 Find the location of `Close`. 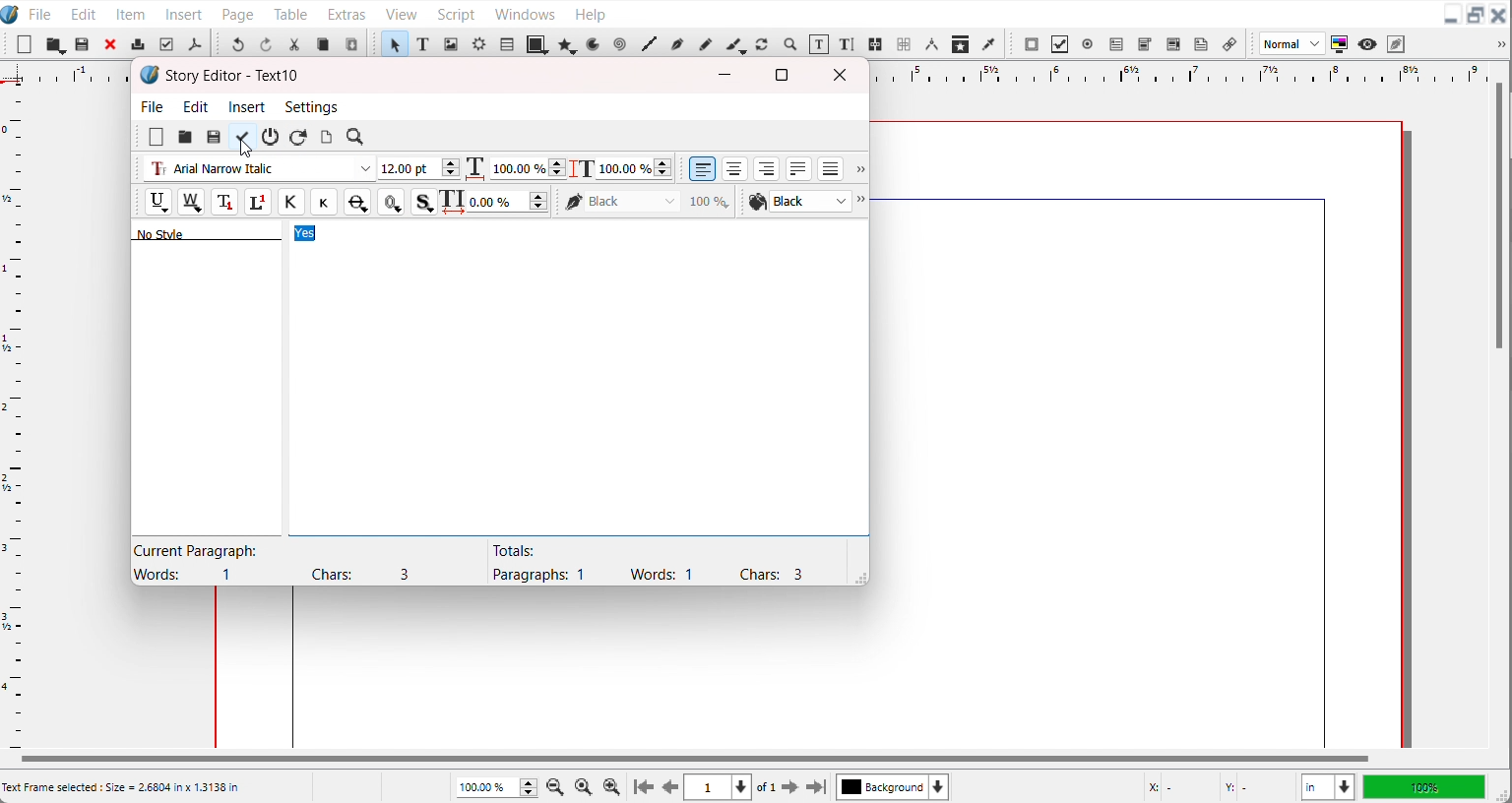

Close is located at coordinates (111, 43).